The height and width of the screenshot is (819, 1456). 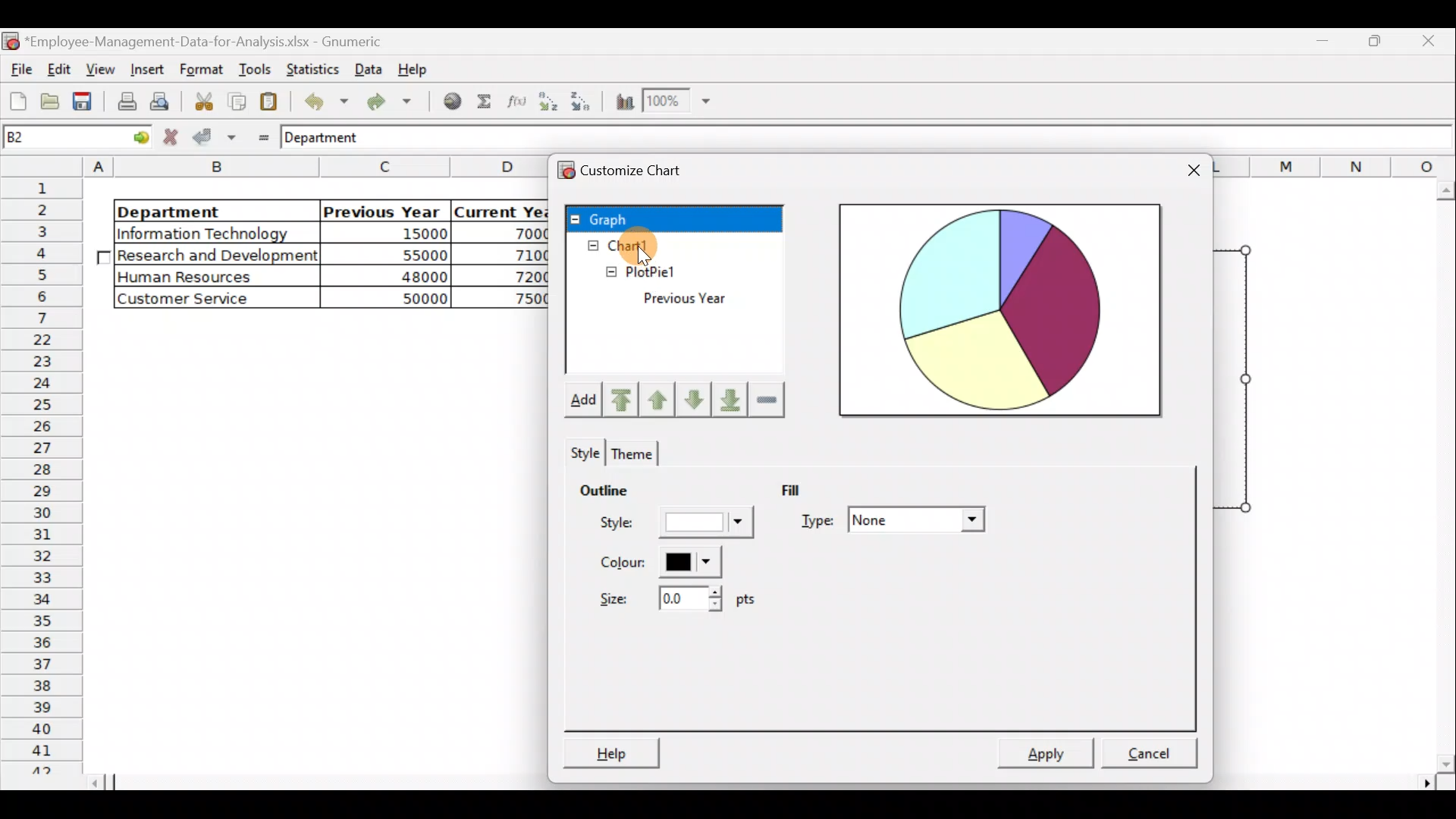 I want to click on Cursor on Chart1, so click(x=661, y=244).